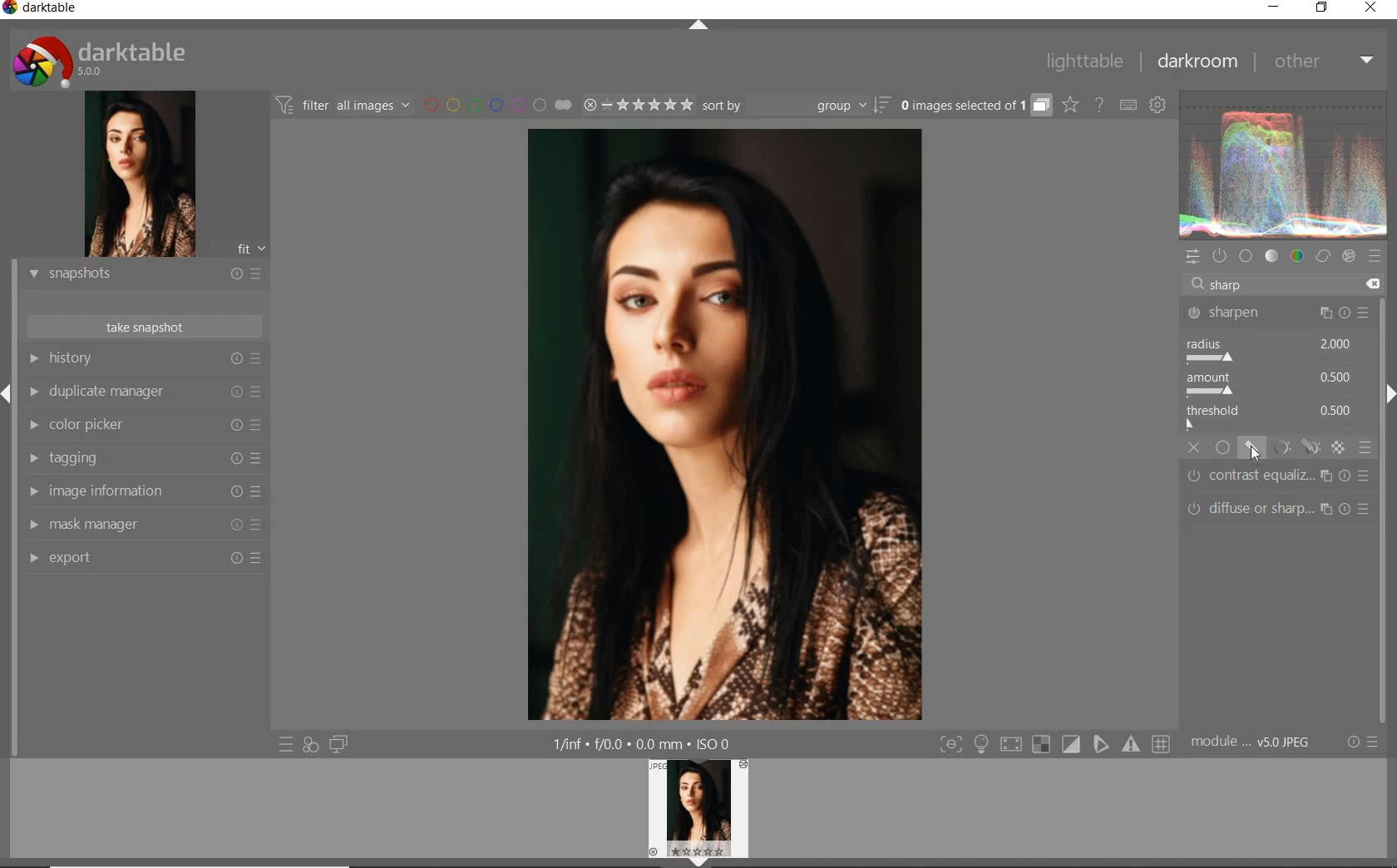  What do you see at coordinates (698, 808) in the screenshot?
I see `Preview Image` at bounding box center [698, 808].